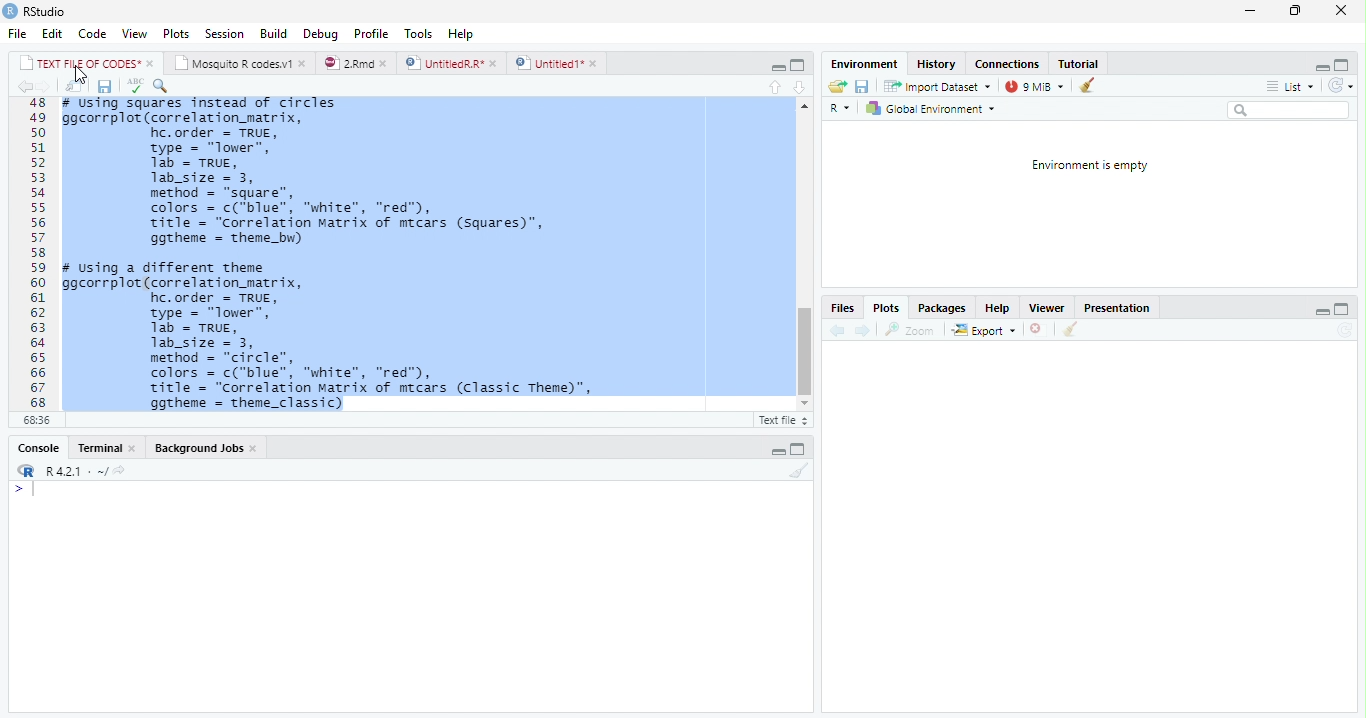 Image resolution: width=1366 pixels, height=718 pixels. Describe the element at coordinates (461, 32) in the screenshot. I see `Help` at that location.